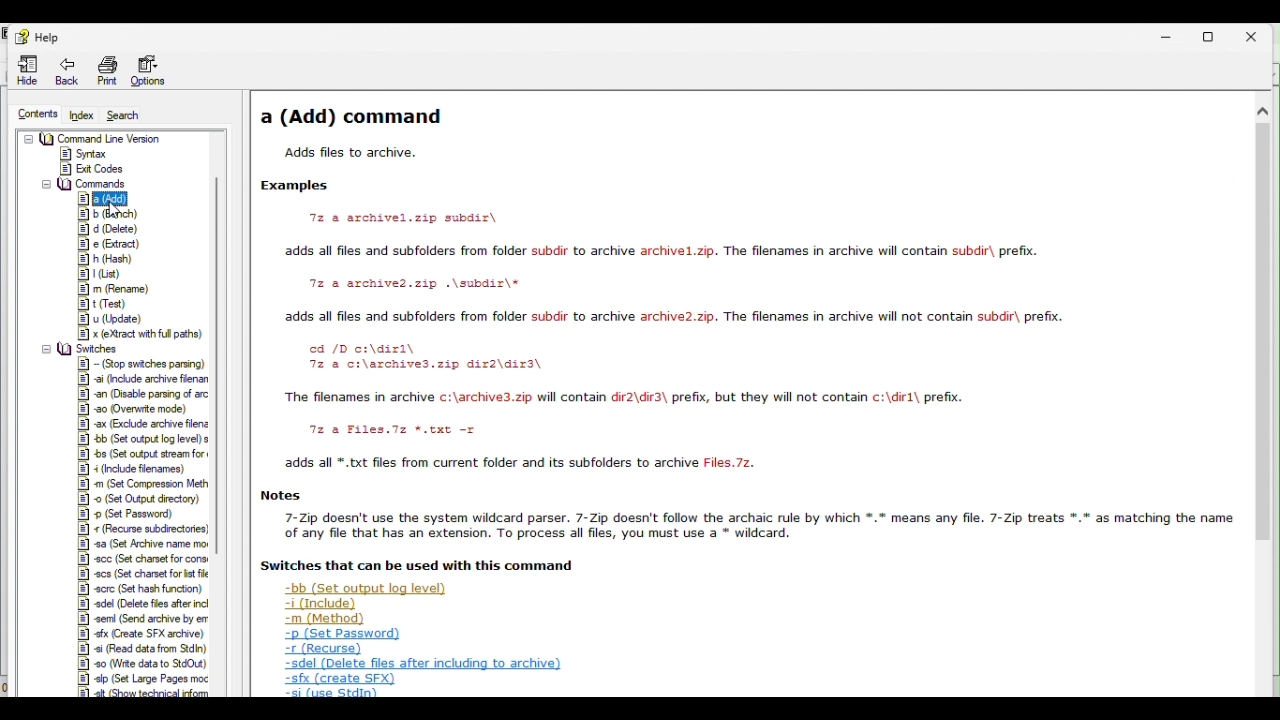  Describe the element at coordinates (755, 526) in the screenshot. I see `text` at that location.